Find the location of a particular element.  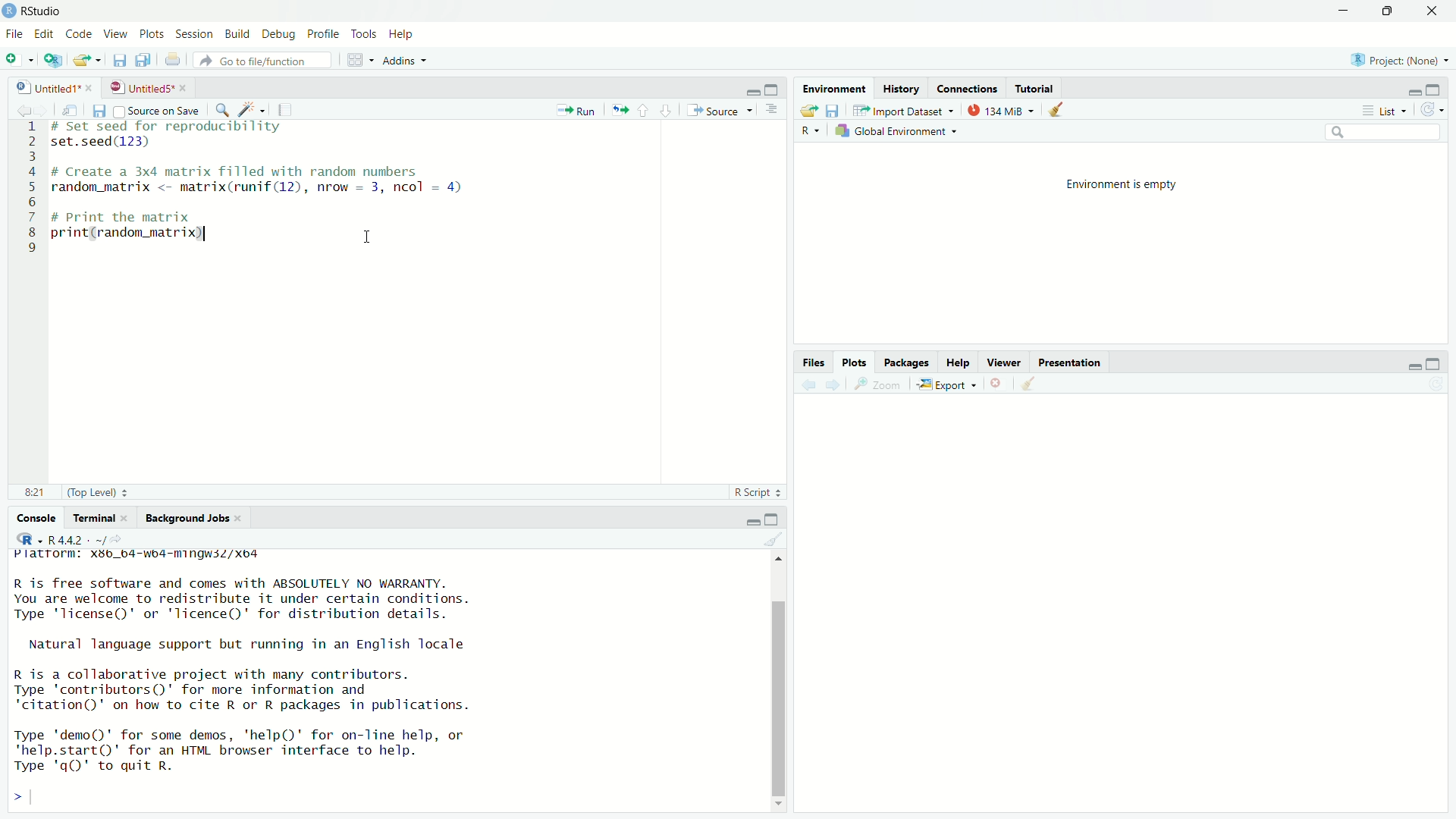

Session is located at coordinates (199, 36).